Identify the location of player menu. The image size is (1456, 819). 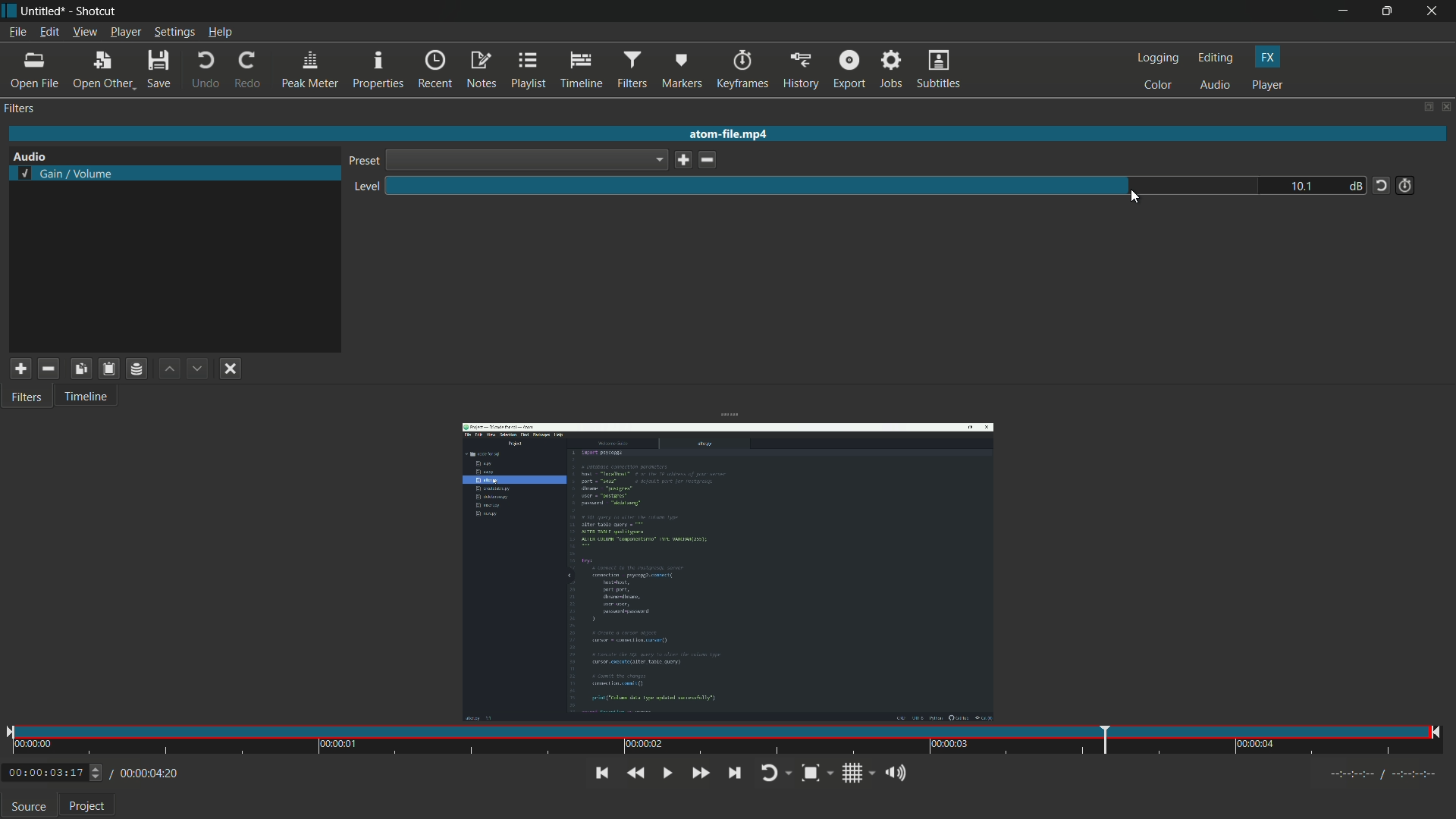
(126, 32).